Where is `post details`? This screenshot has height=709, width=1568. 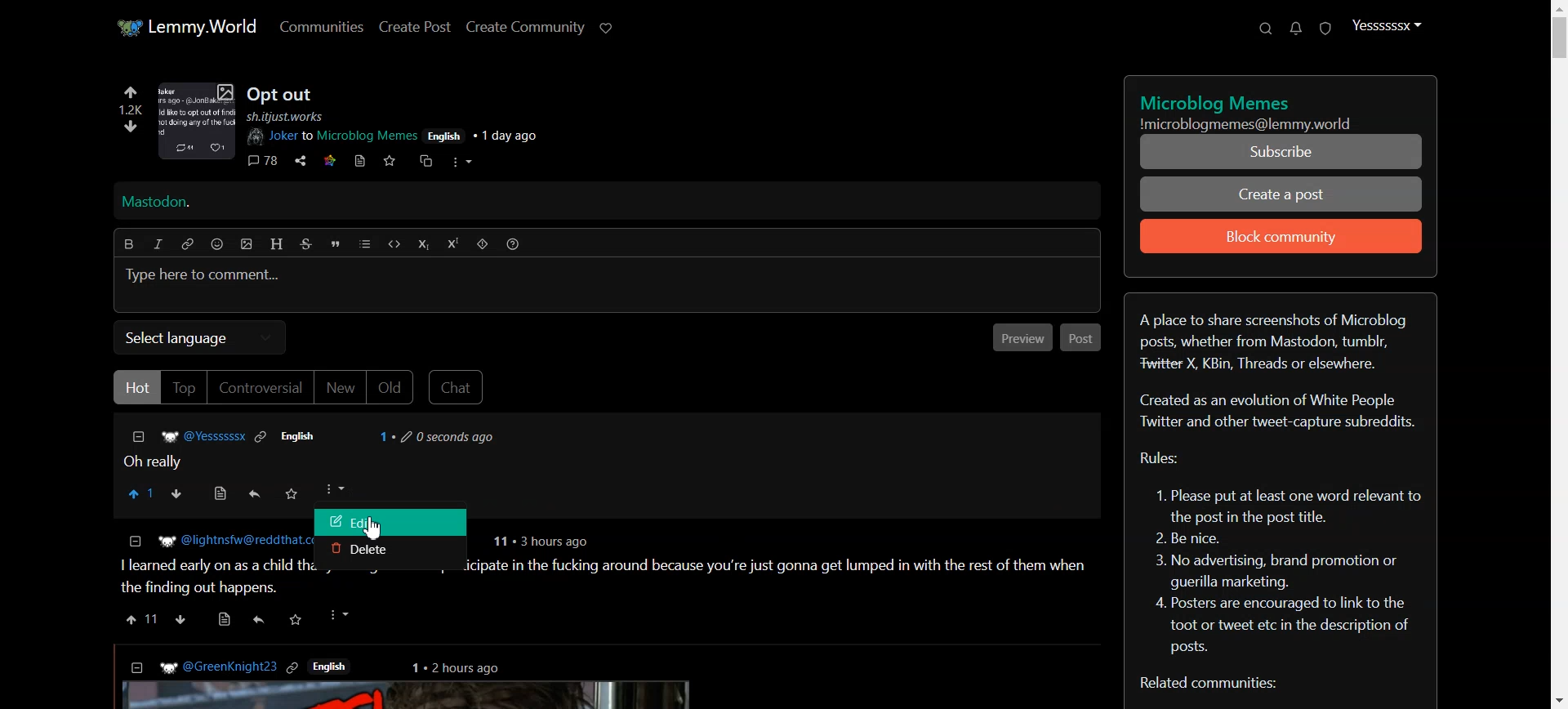
post details is located at coordinates (413, 130).